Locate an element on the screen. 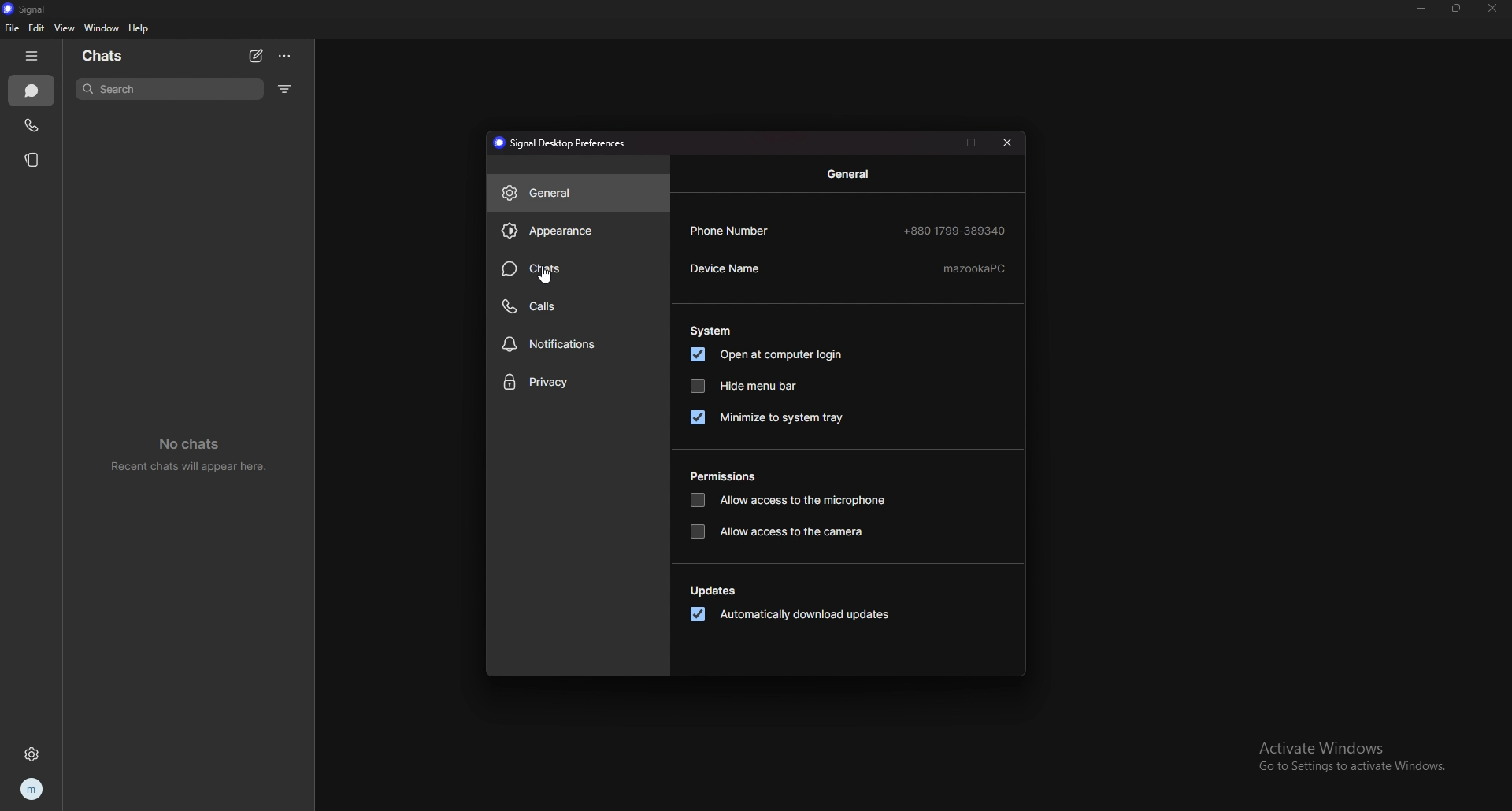 The width and height of the screenshot is (1512, 811). general is located at coordinates (578, 192).